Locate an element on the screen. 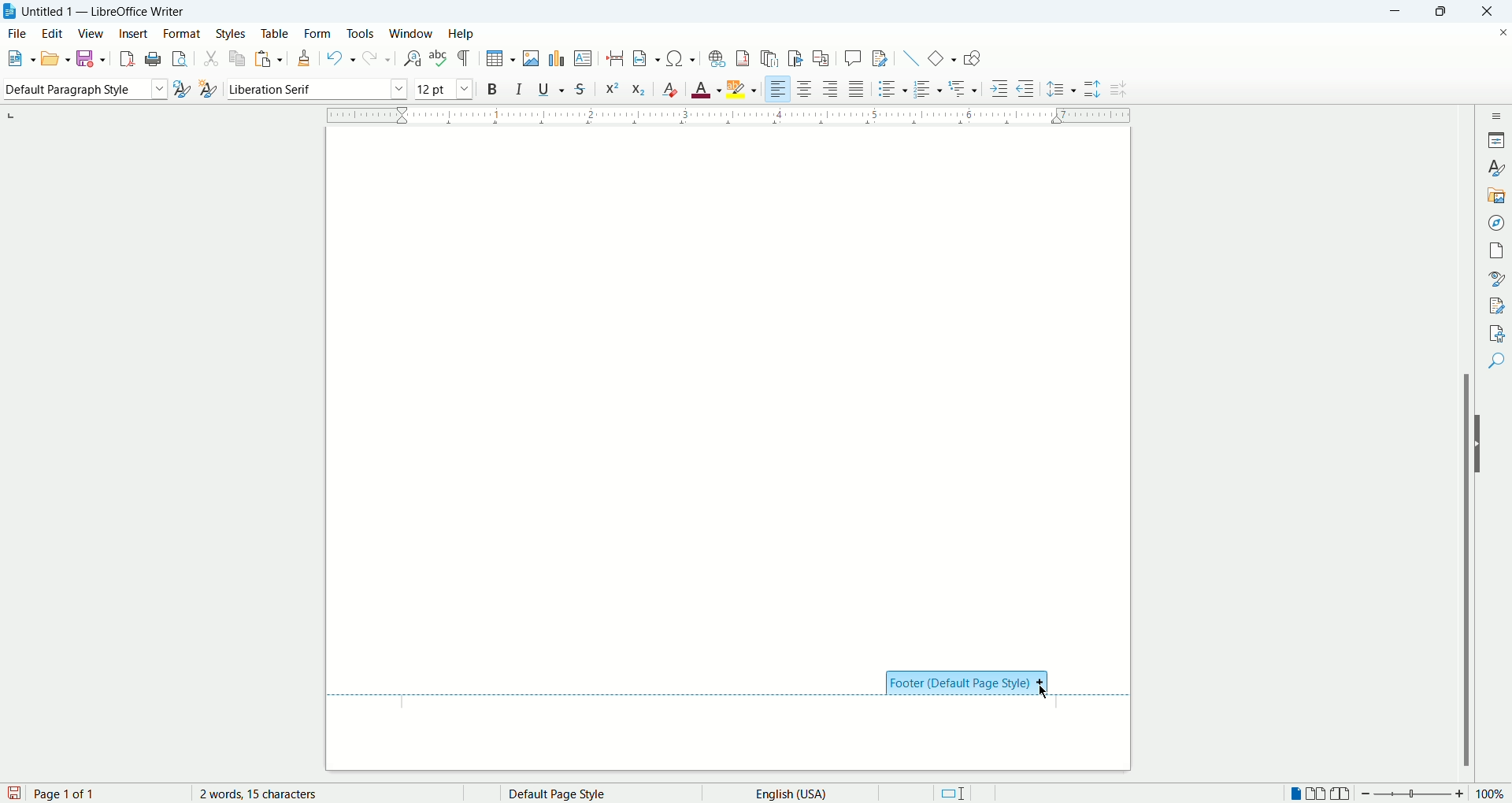  accessibility check is located at coordinates (1497, 332).